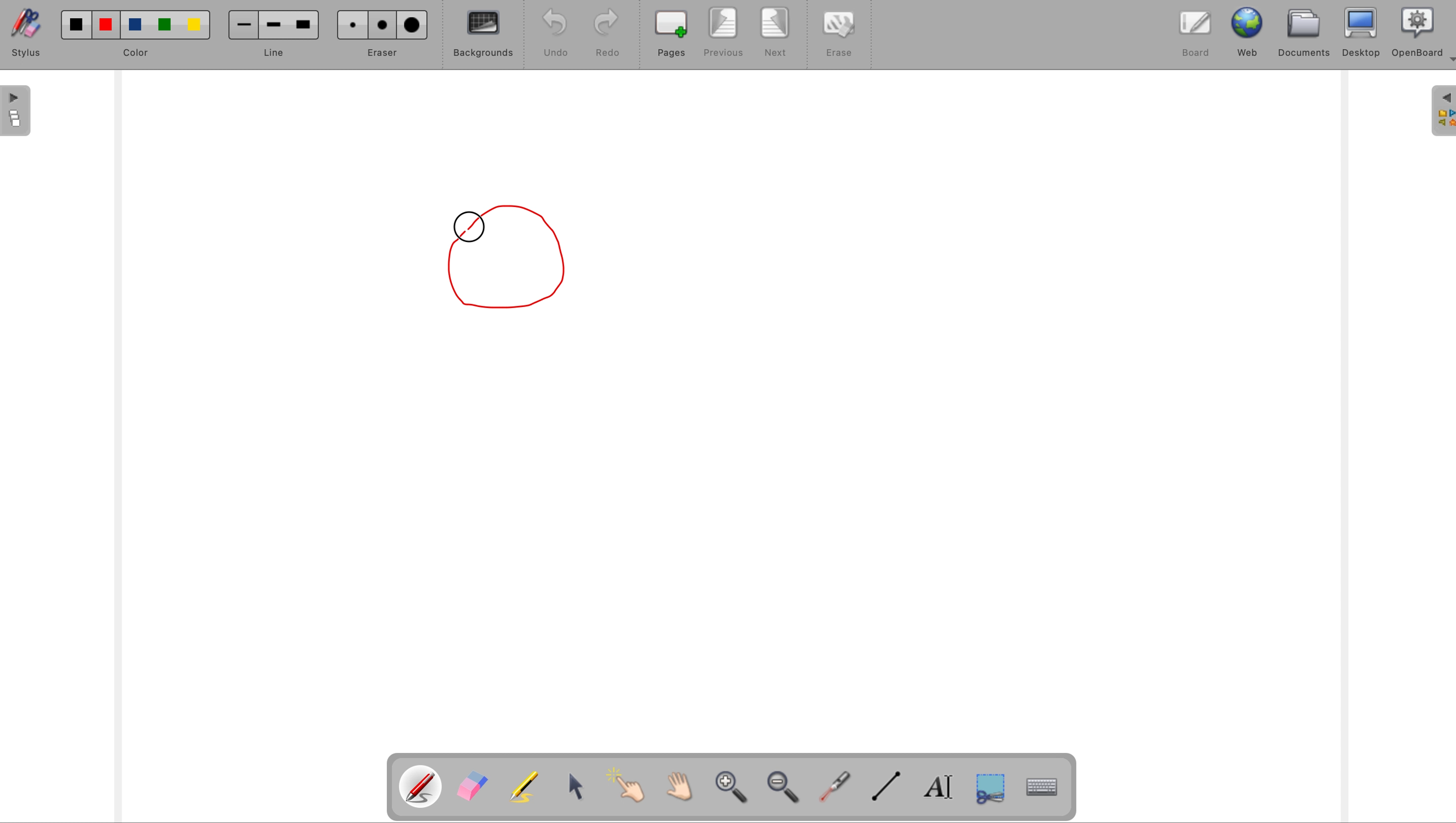  Describe the element at coordinates (138, 34) in the screenshot. I see `color` at that location.